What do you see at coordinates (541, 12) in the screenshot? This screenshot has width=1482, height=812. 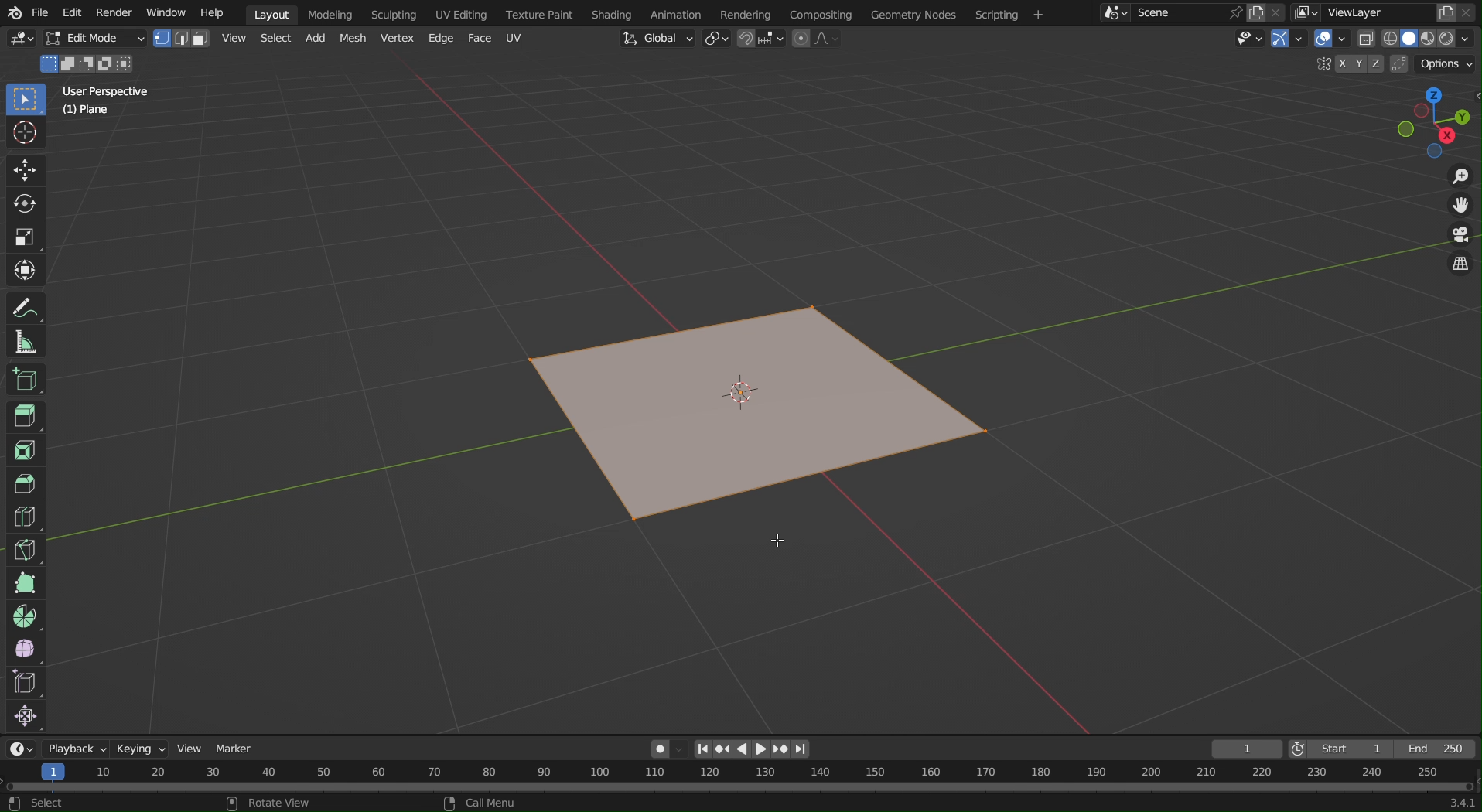 I see `Texture Paint` at bounding box center [541, 12].